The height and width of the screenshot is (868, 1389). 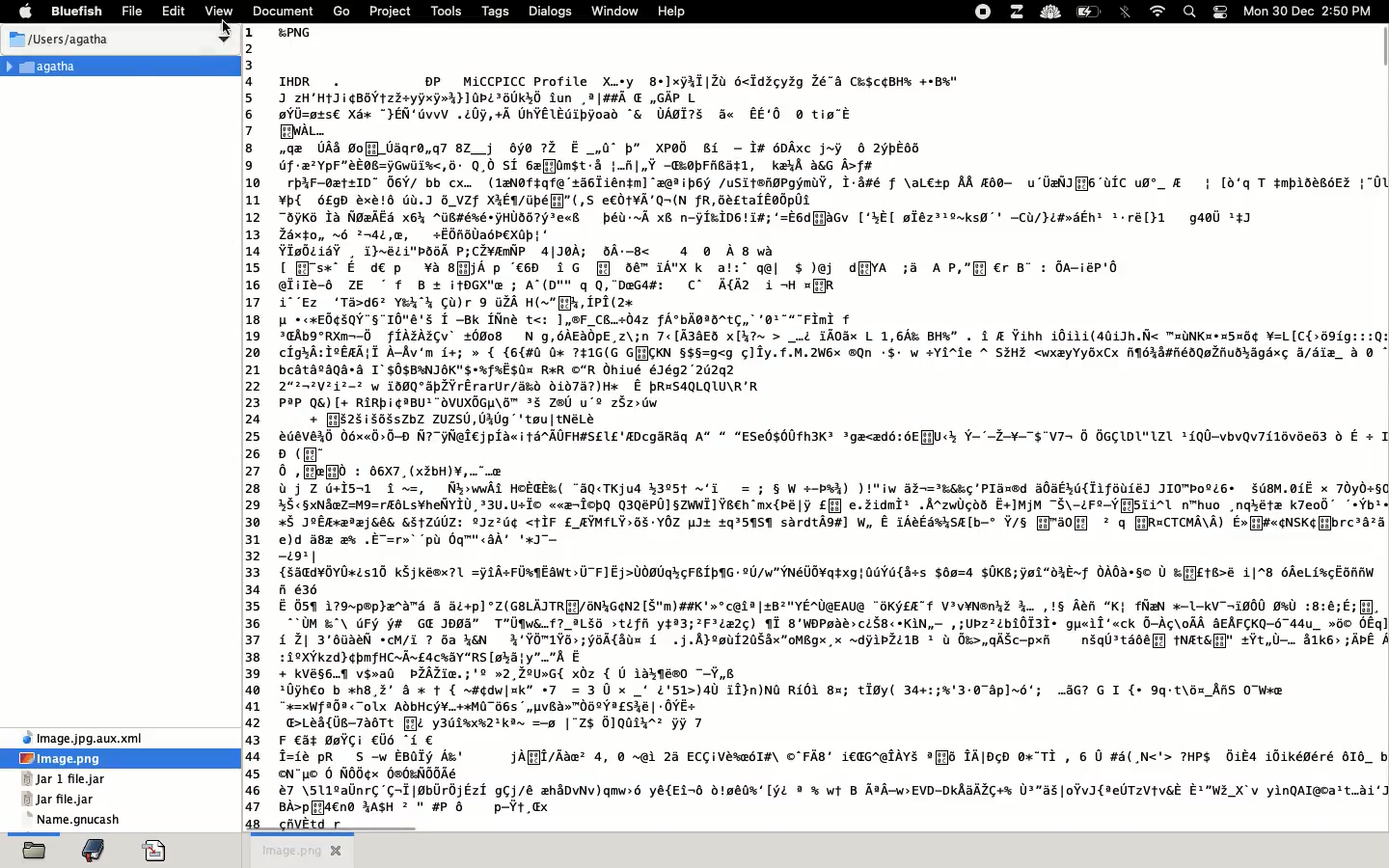 I want to click on Agatha, so click(x=118, y=67).